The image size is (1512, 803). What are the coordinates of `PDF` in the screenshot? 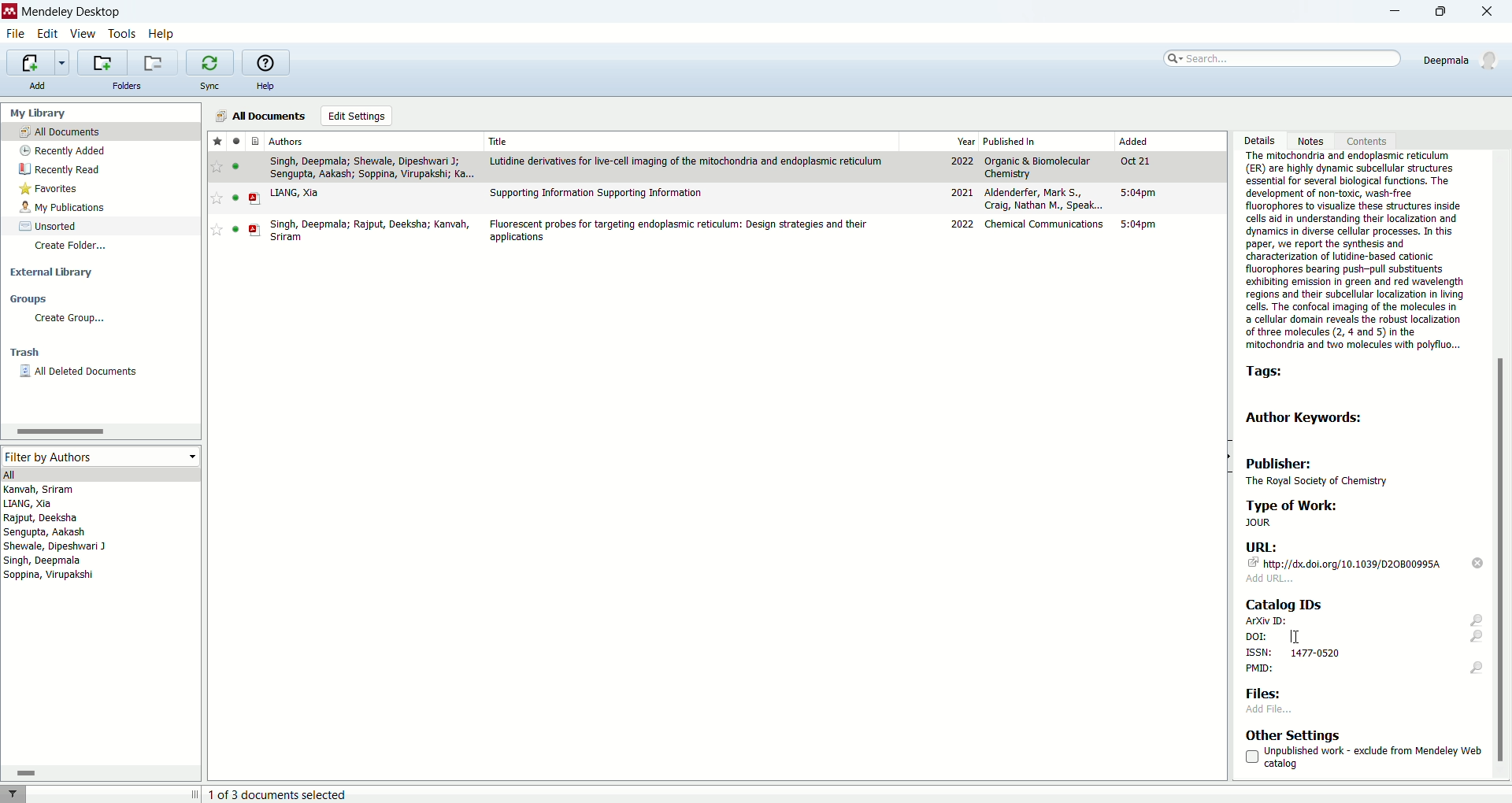 It's located at (255, 230).